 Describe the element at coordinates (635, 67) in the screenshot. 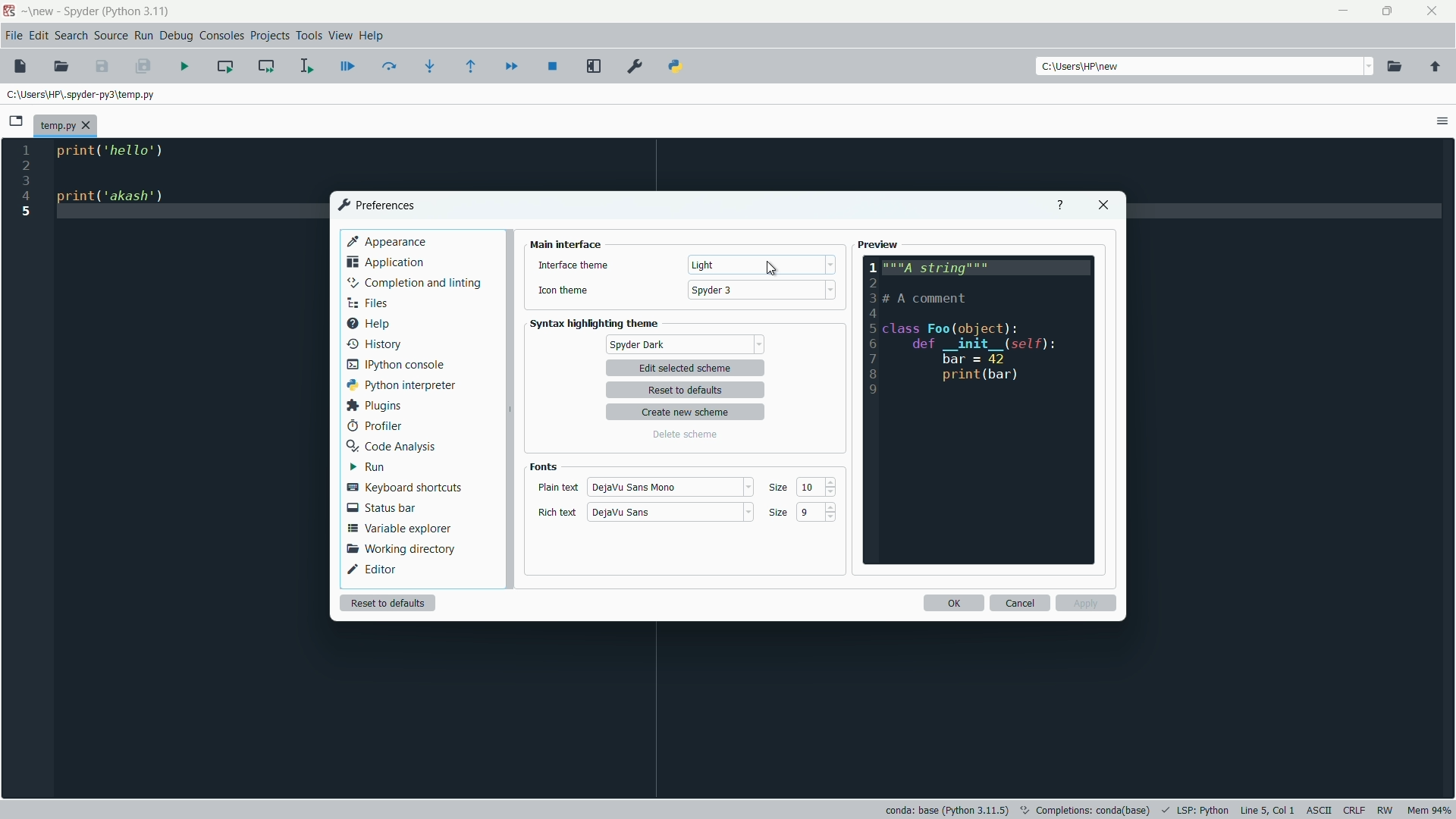

I see `preferences` at that location.